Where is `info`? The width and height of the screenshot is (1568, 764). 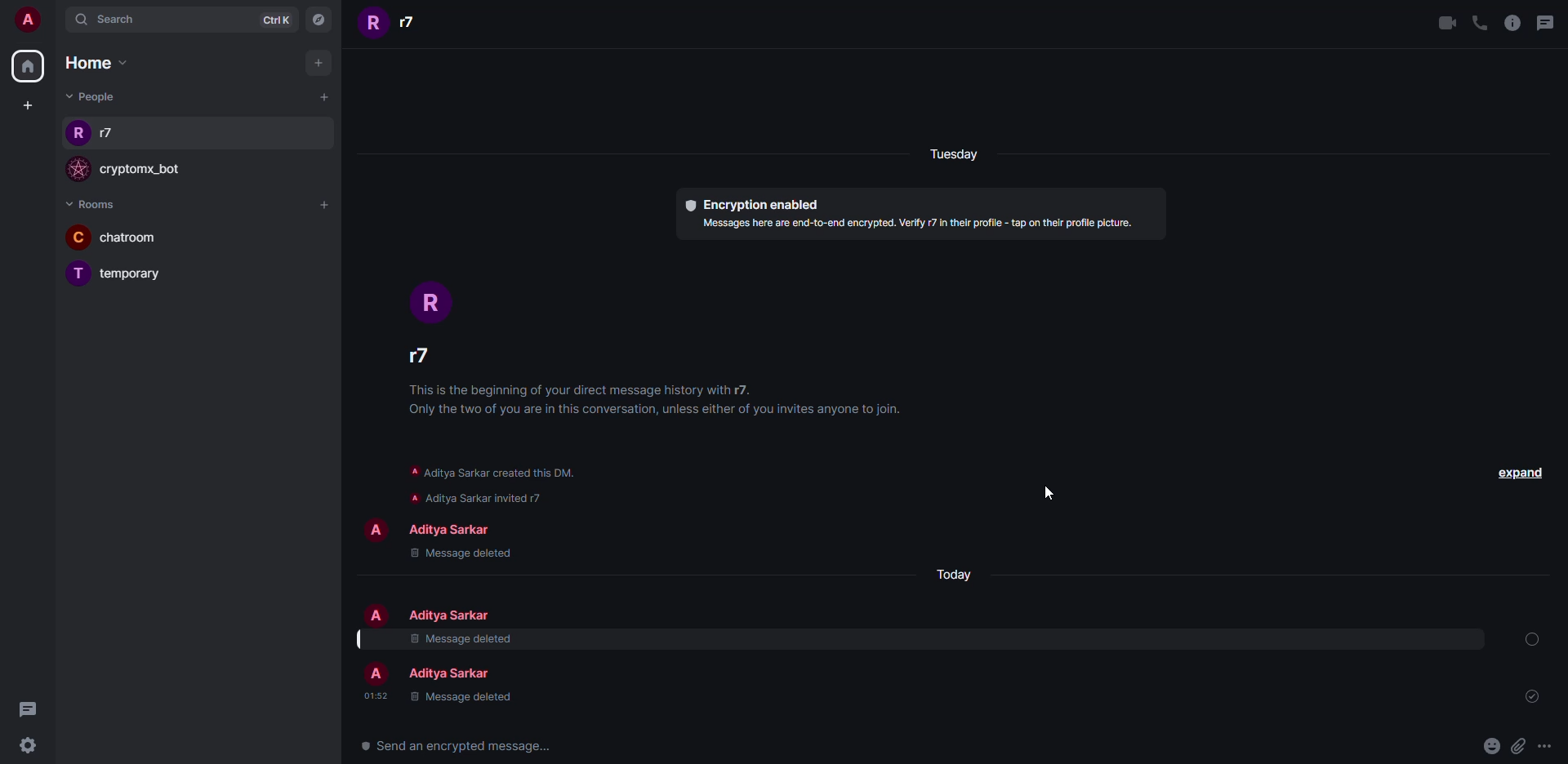
info is located at coordinates (666, 402).